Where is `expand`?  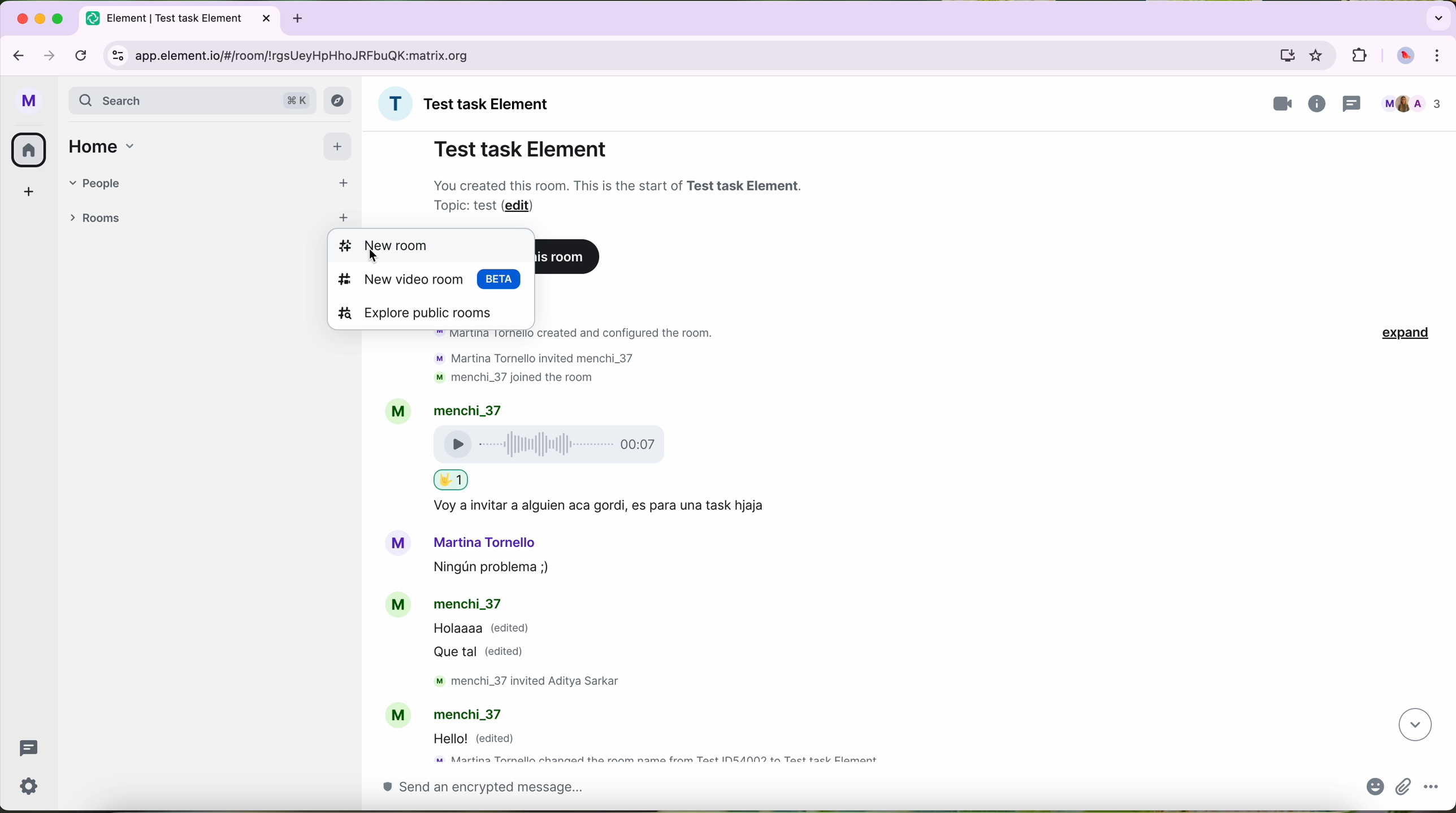 expand is located at coordinates (1407, 334).